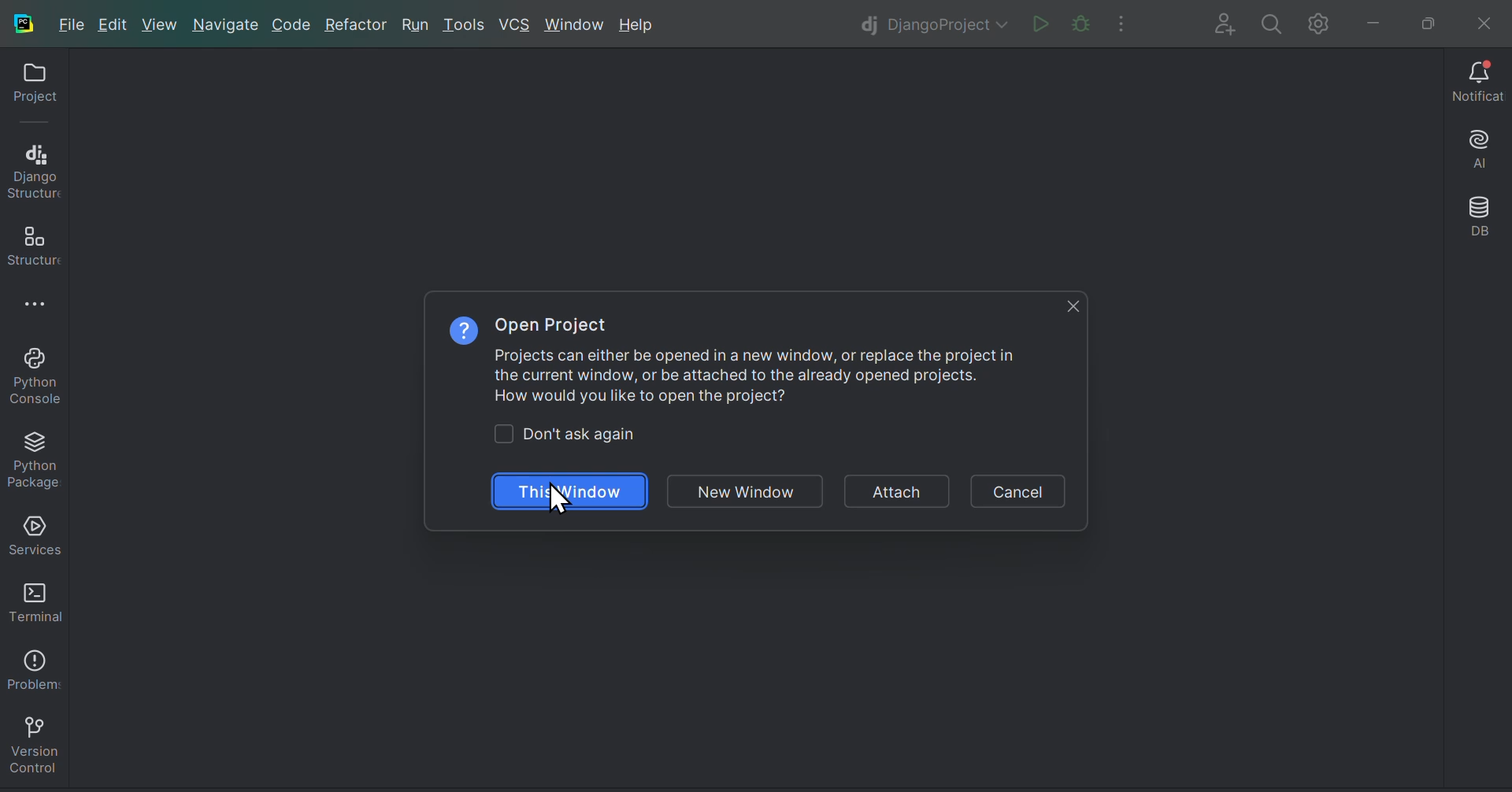 The height and width of the screenshot is (792, 1512). Describe the element at coordinates (31, 664) in the screenshot. I see `Problems` at that location.